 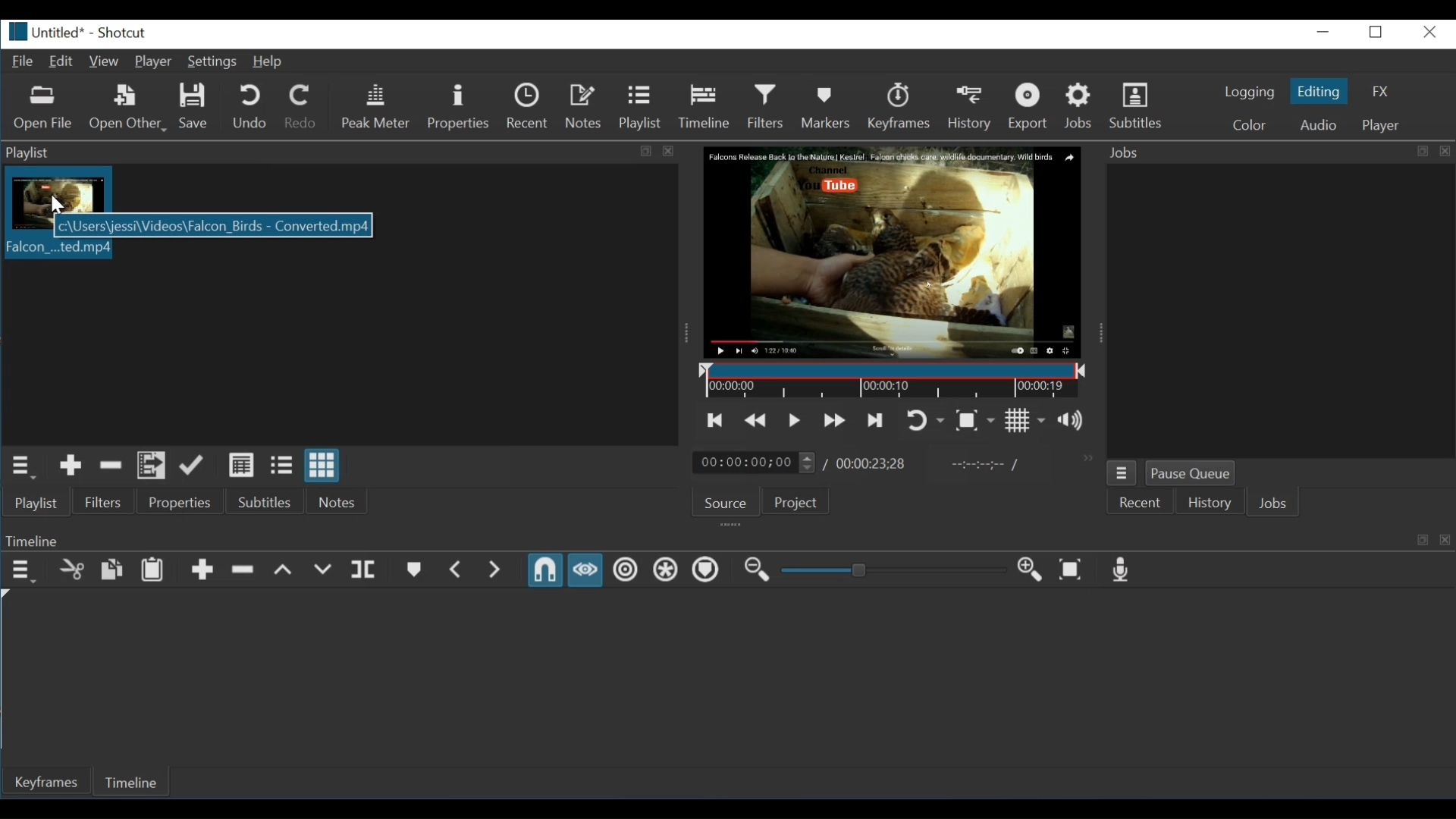 I want to click on Cut, so click(x=72, y=570).